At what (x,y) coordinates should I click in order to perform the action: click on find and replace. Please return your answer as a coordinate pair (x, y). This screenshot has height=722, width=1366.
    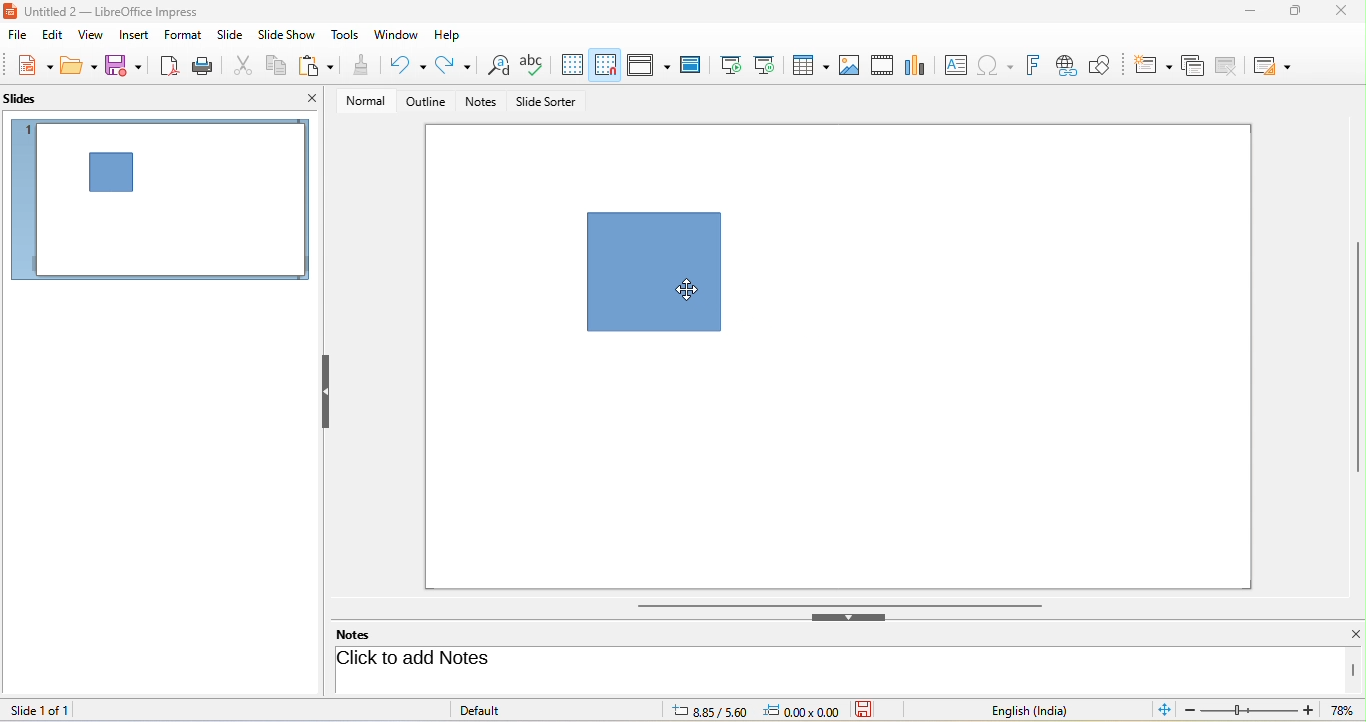
    Looking at the image, I should click on (496, 67).